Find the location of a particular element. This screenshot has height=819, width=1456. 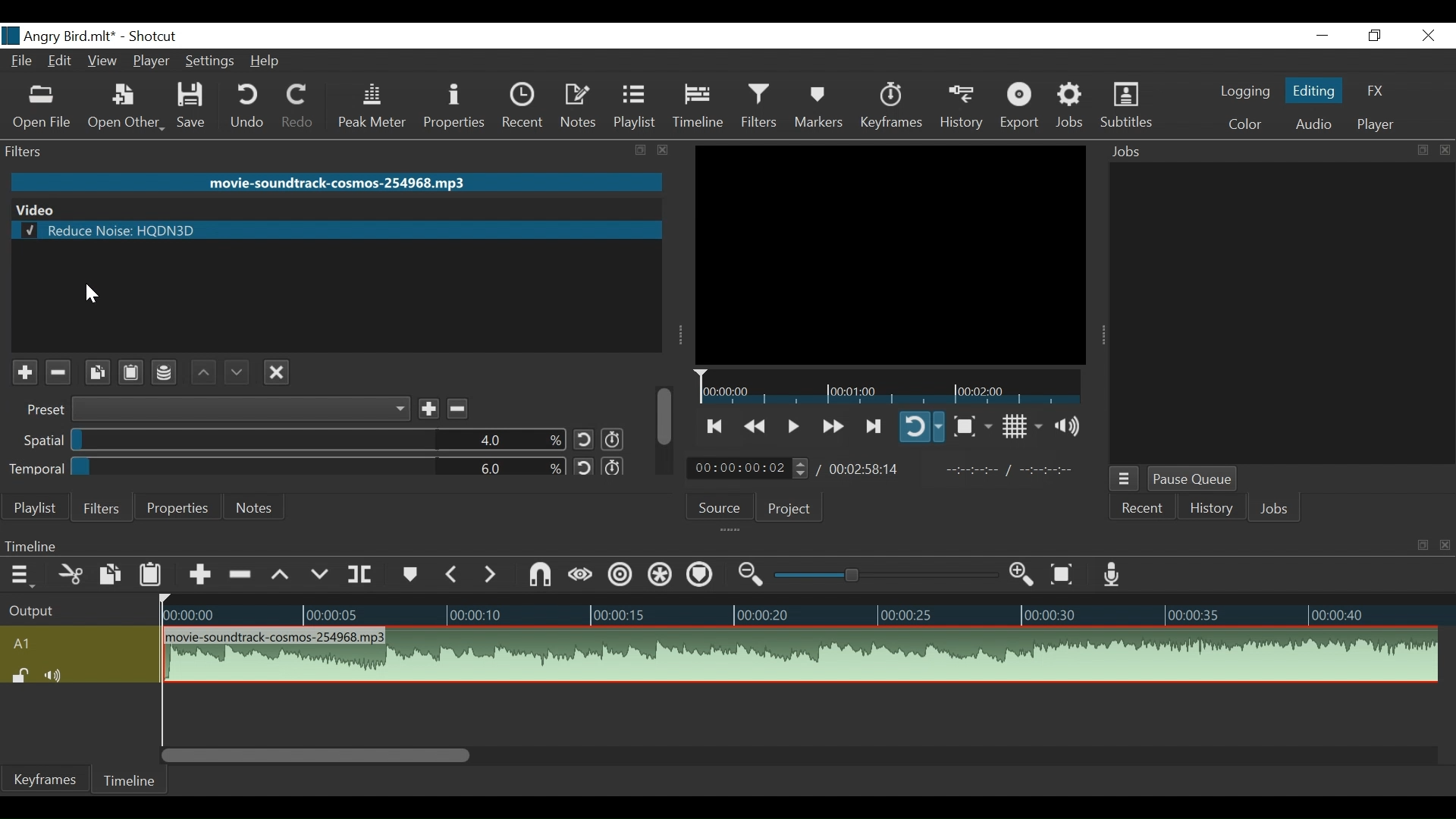

Video is located at coordinates (35, 209).